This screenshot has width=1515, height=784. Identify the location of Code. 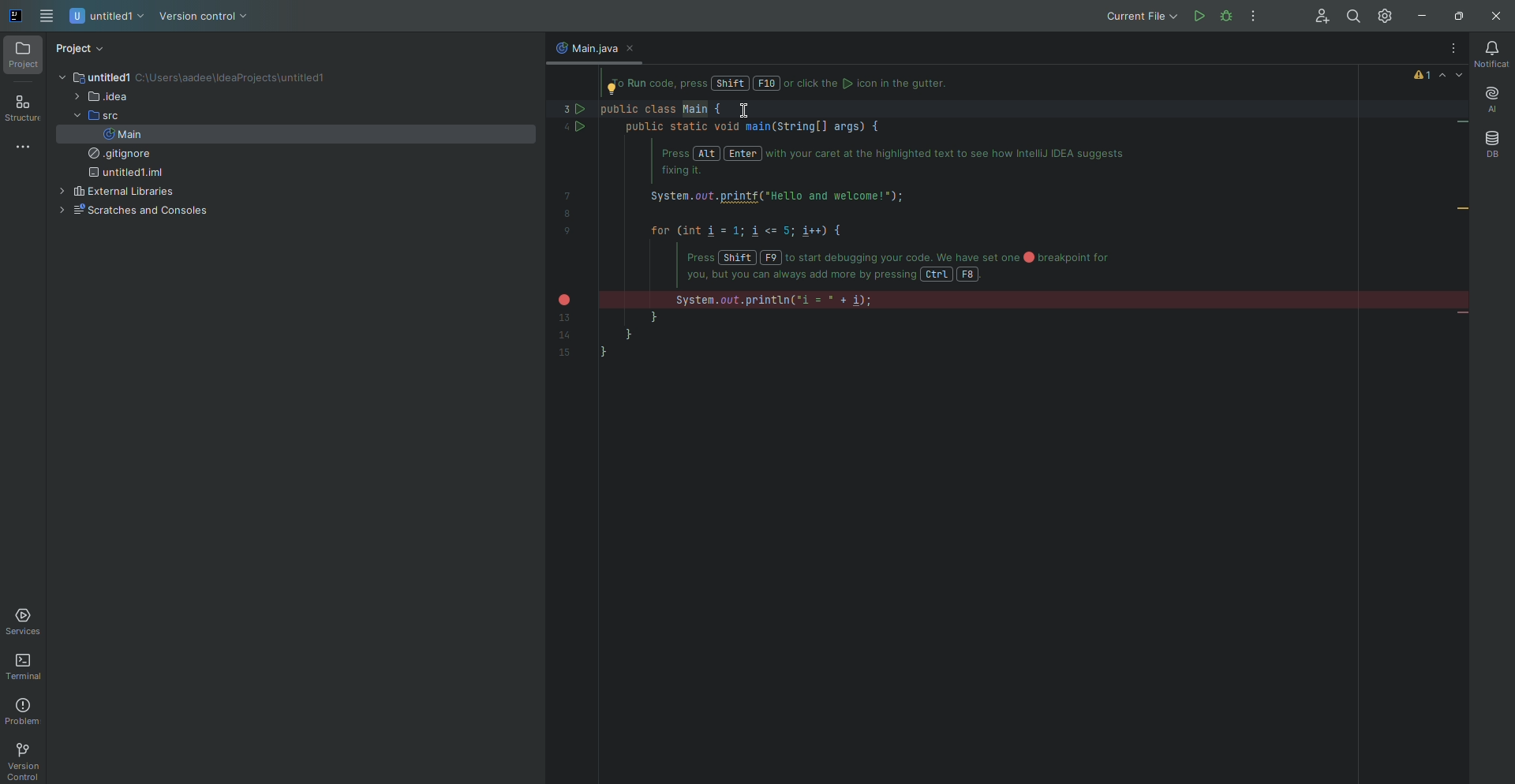
(874, 232).